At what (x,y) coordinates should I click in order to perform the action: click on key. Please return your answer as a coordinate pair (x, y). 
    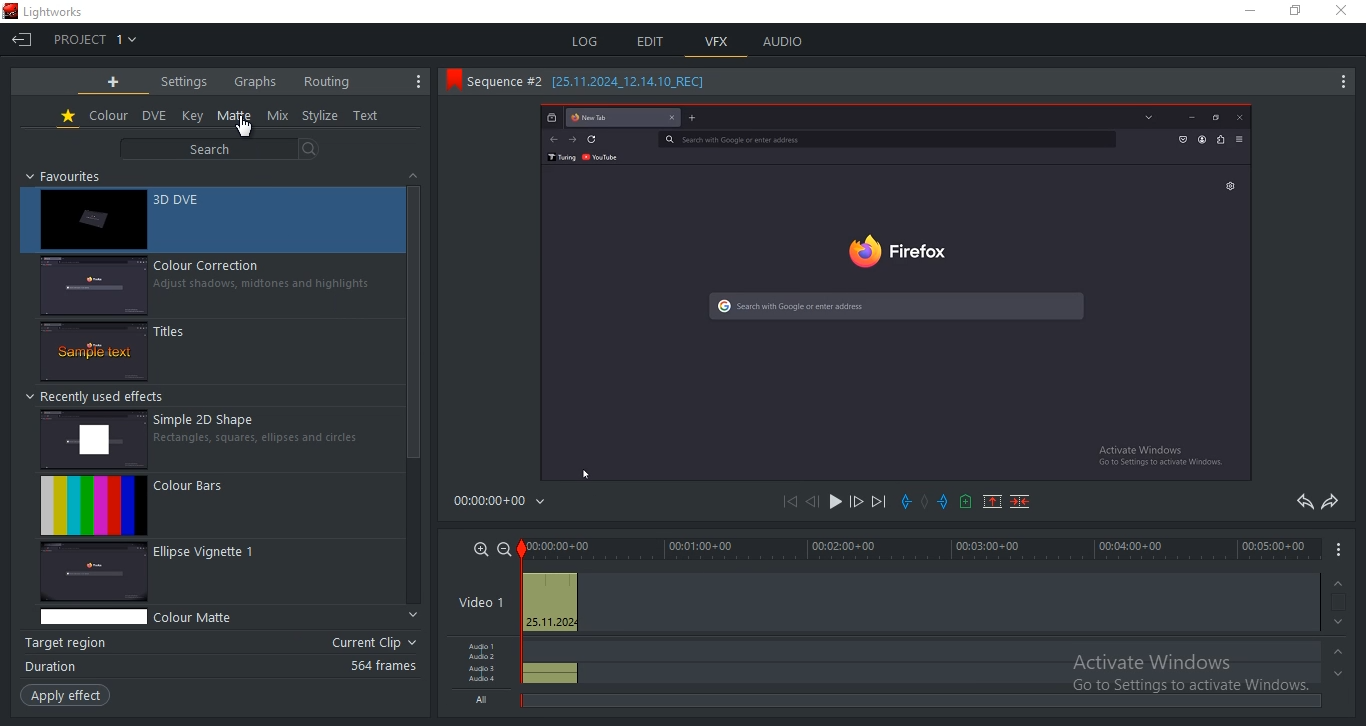
    Looking at the image, I should click on (193, 115).